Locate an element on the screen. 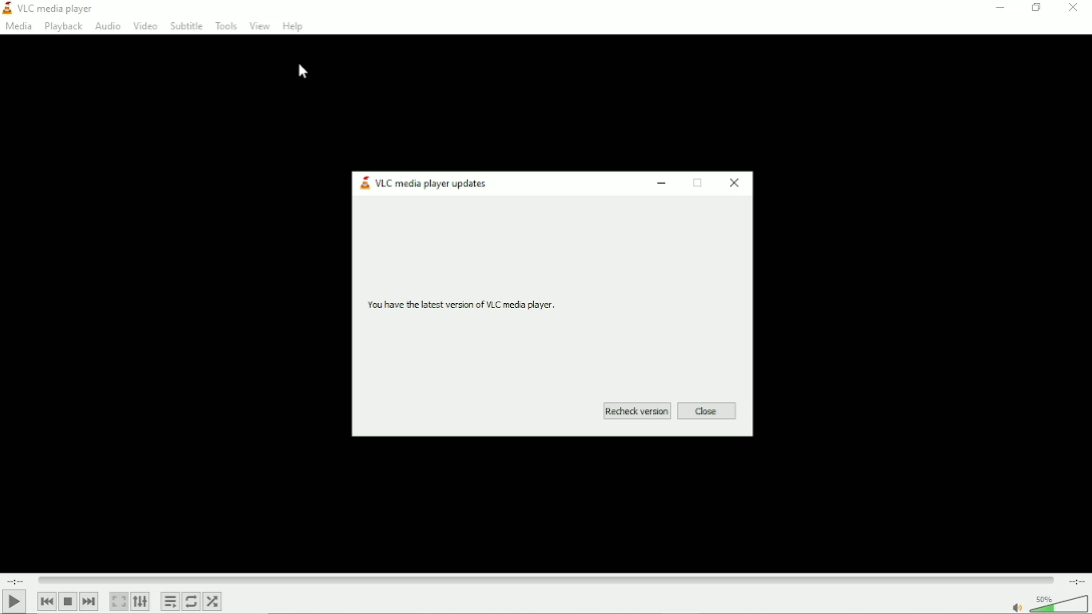  Help is located at coordinates (293, 24).